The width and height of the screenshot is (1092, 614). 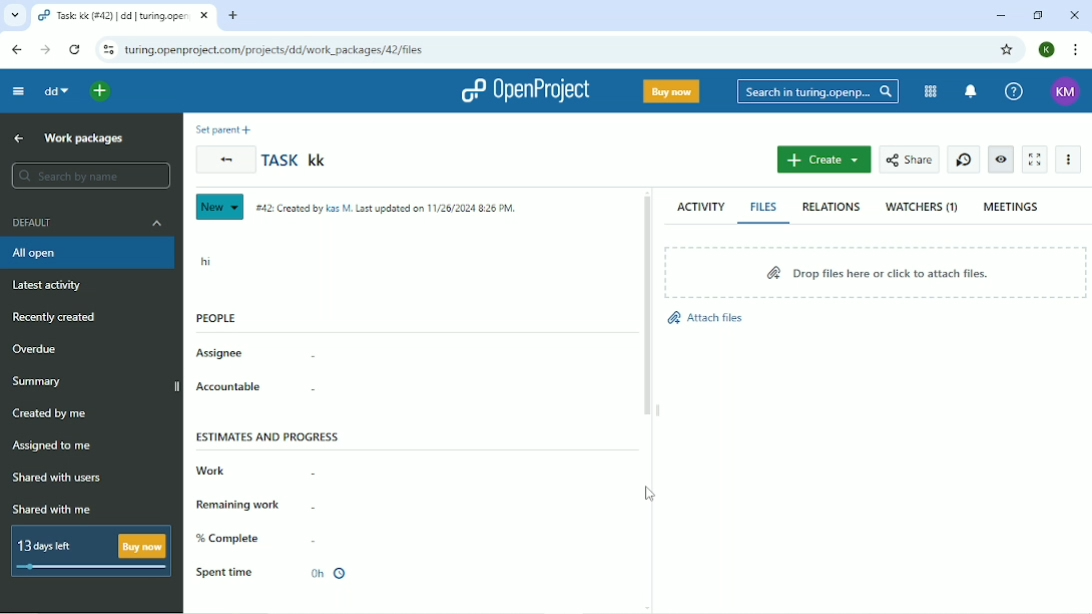 I want to click on Assignee, so click(x=218, y=353).